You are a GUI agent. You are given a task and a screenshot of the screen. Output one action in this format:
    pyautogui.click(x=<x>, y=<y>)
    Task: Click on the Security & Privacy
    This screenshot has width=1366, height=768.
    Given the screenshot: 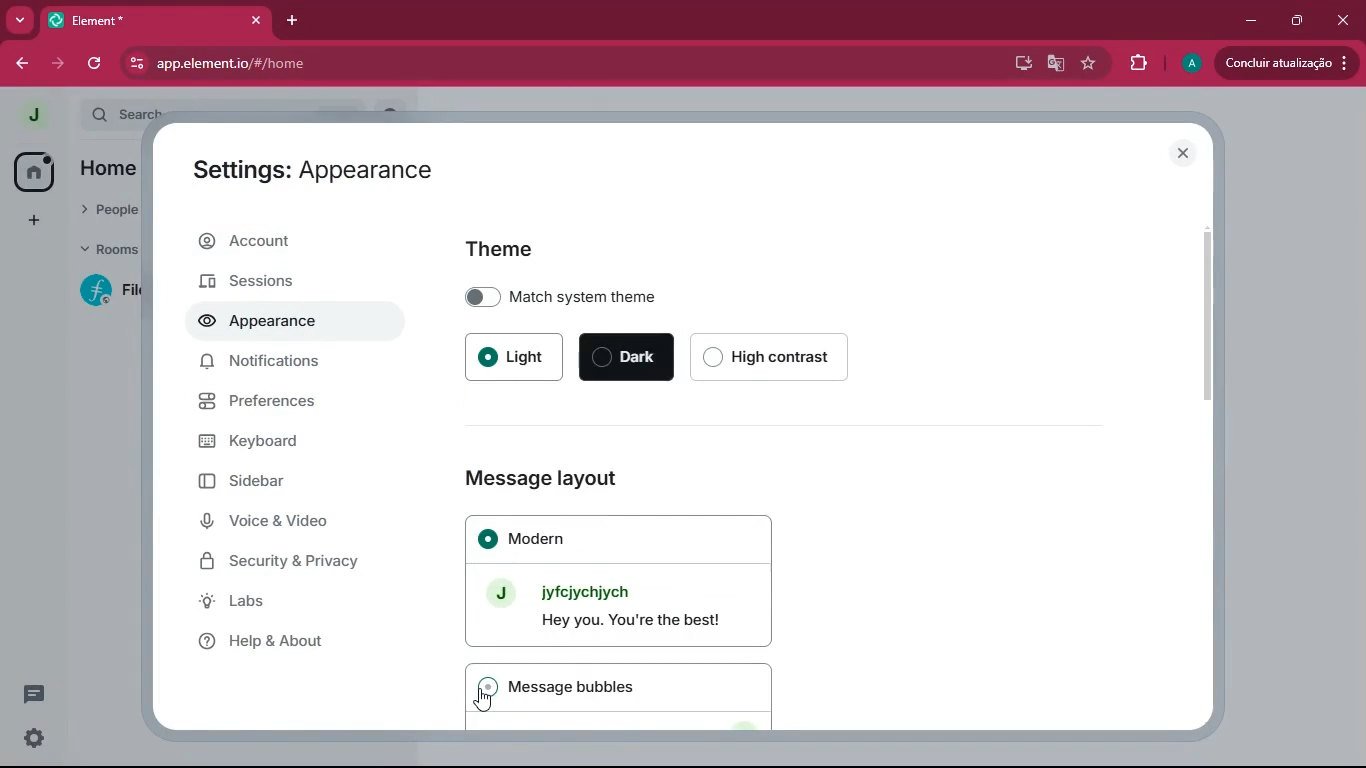 What is the action you would take?
    pyautogui.click(x=288, y=562)
    